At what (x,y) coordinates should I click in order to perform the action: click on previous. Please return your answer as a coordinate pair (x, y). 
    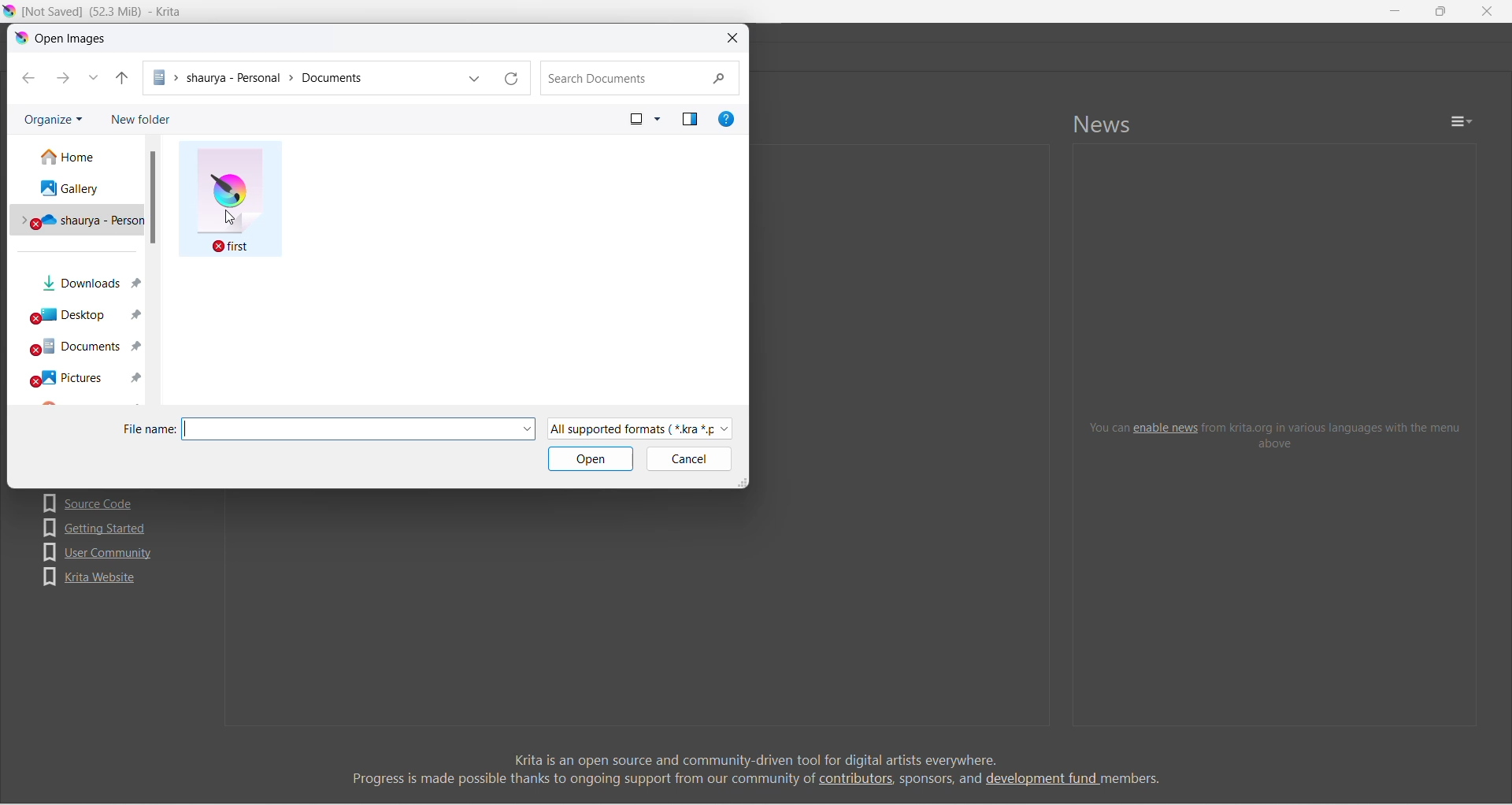
    Looking at the image, I should click on (29, 78).